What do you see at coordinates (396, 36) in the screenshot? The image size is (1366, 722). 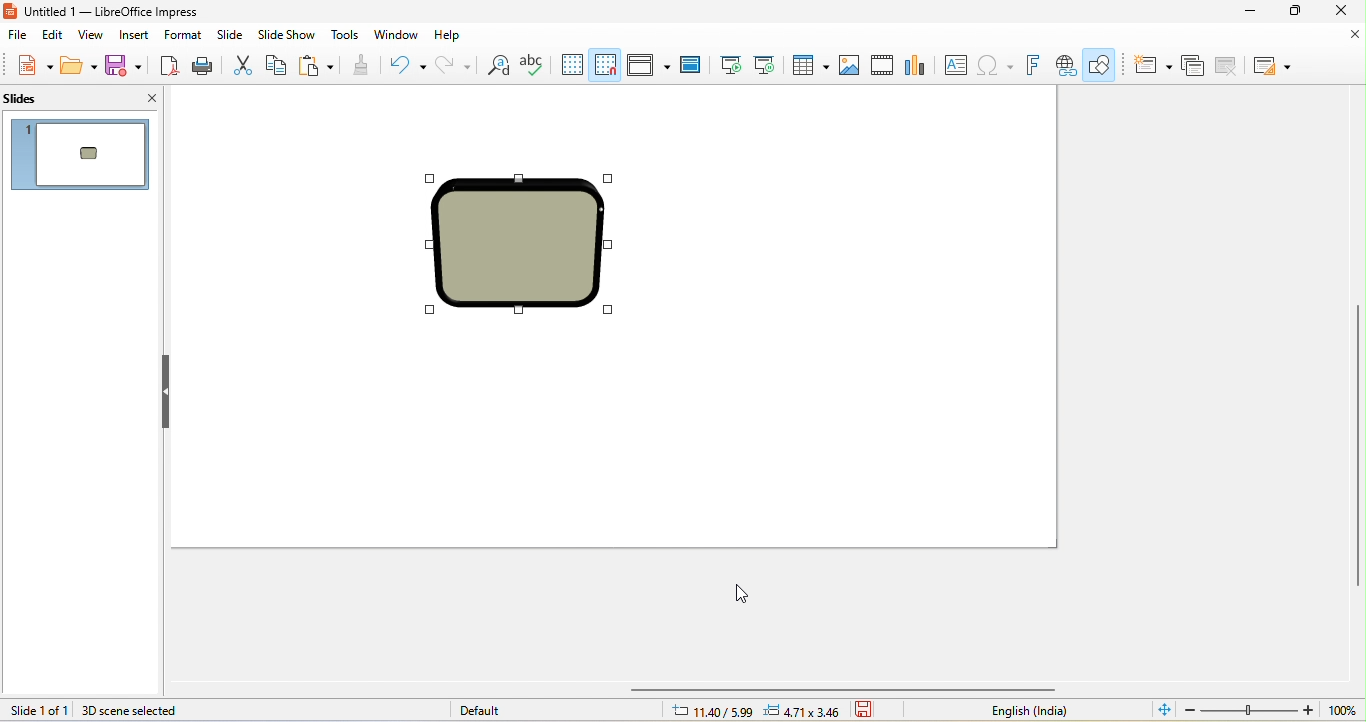 I see `window` at bounding box center [396, 36].